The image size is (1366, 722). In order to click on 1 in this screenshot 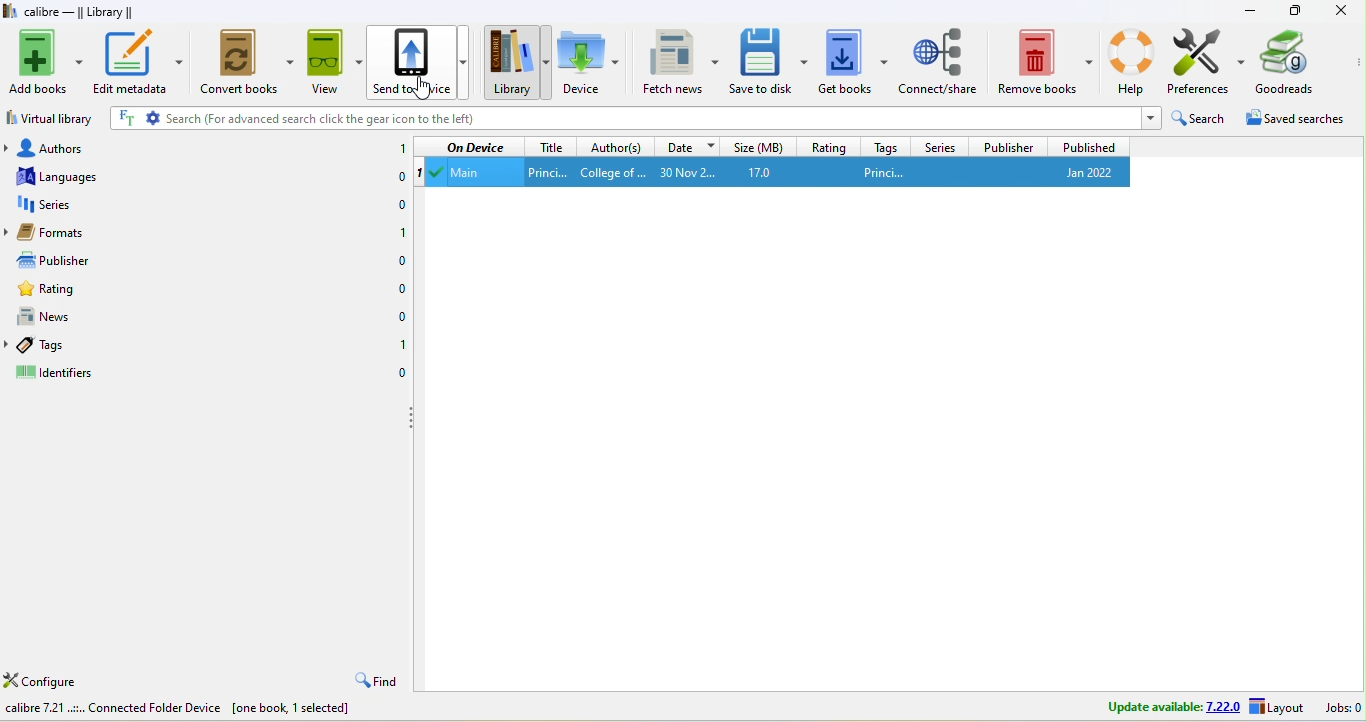, I will do `click(394, 343)`.